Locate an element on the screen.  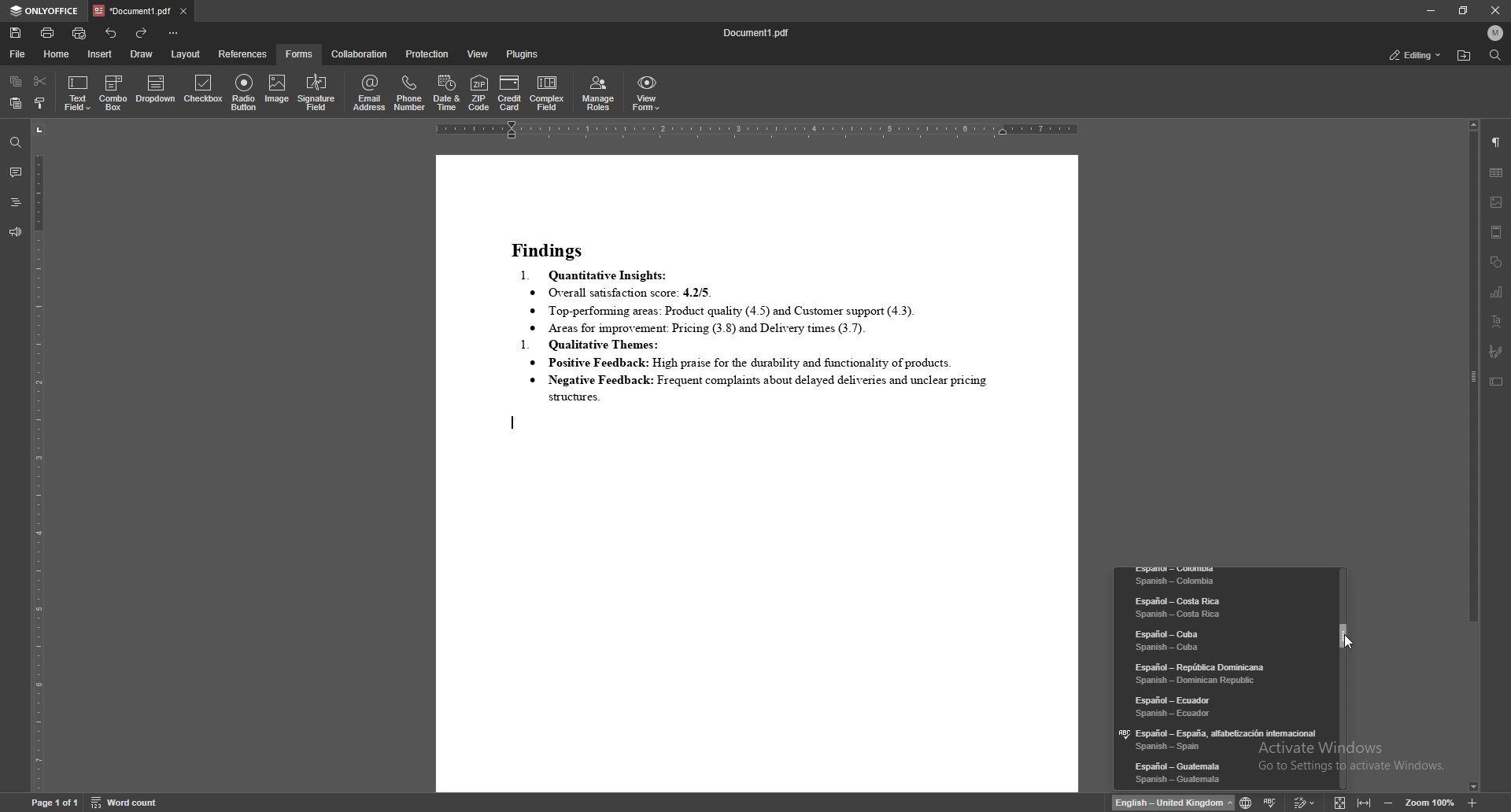
forms is located at coordinates (300, 54).